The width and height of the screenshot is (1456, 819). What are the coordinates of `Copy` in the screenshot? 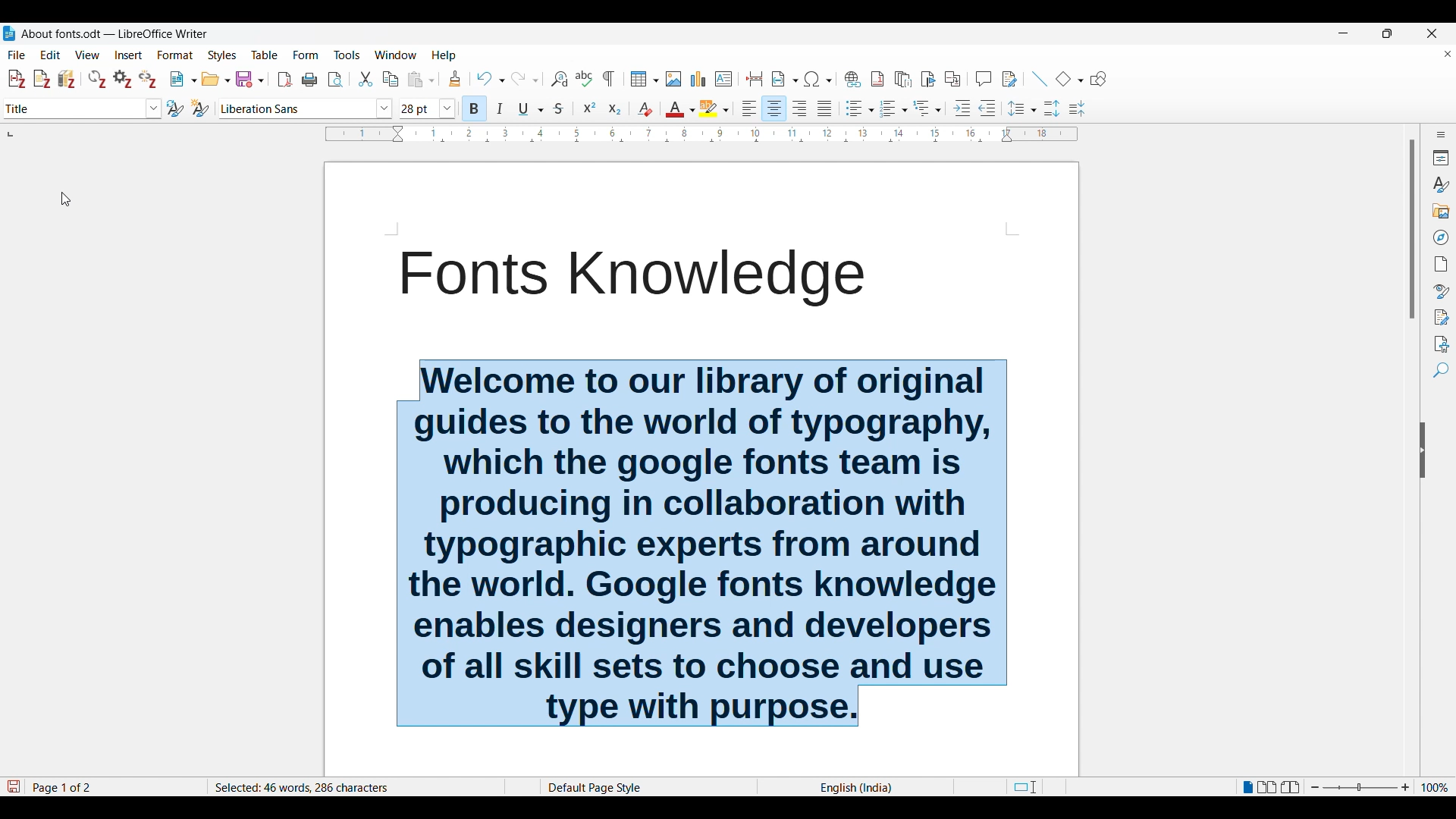 It's located at (391, 80).